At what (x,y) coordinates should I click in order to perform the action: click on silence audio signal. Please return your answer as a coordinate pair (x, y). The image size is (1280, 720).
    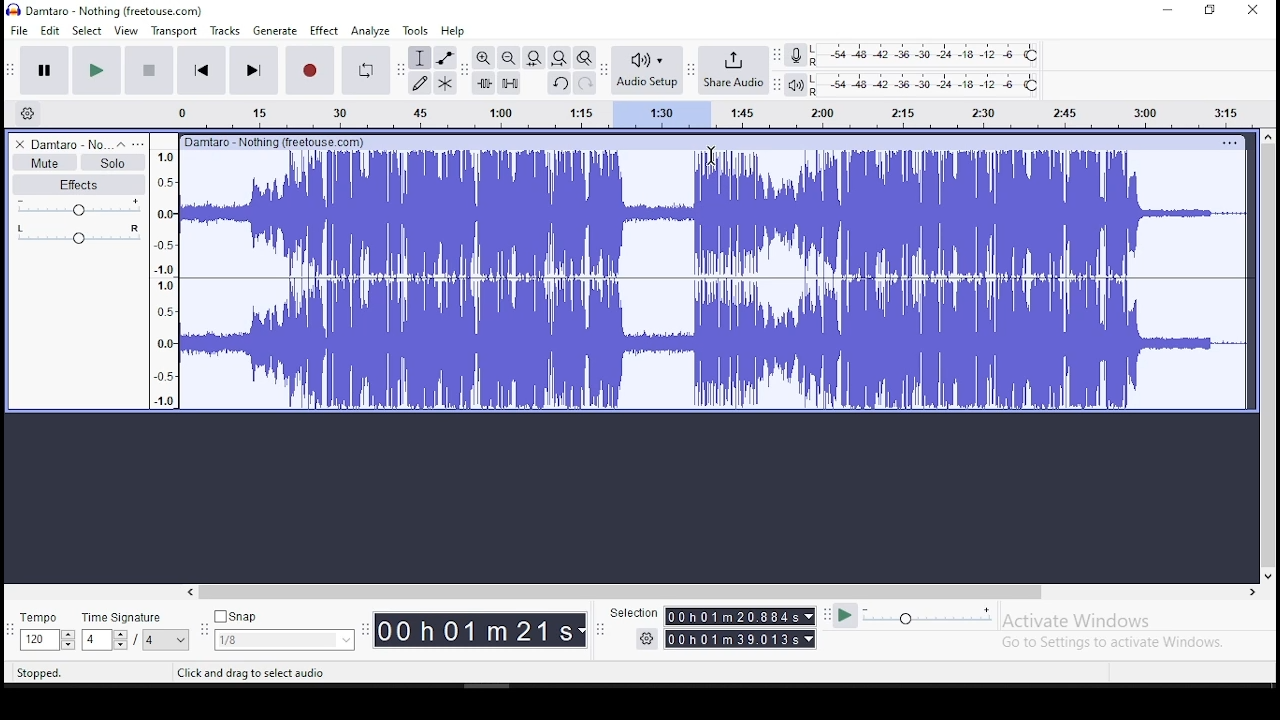
    Looking at the image, I should click on (510, 83).